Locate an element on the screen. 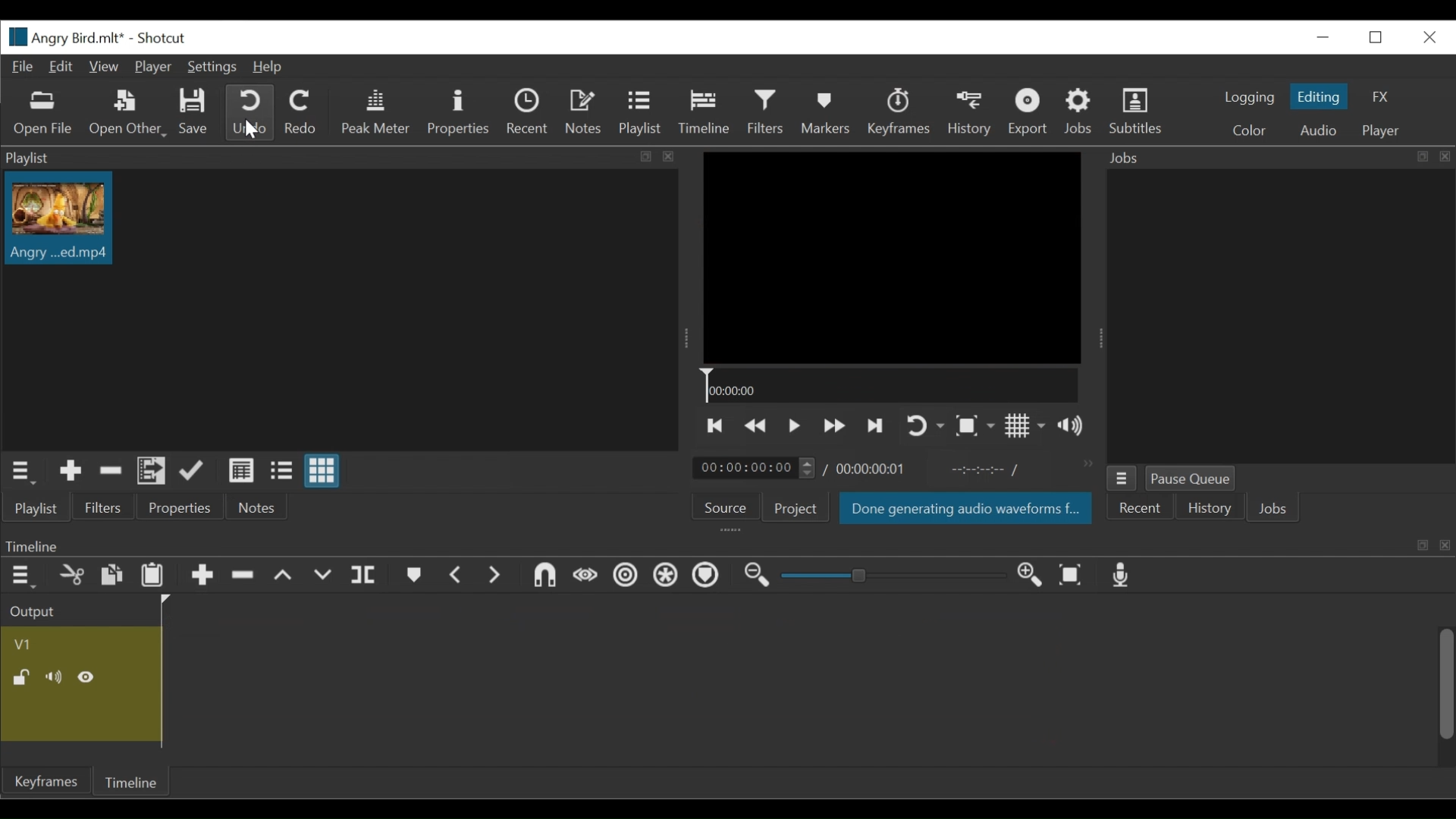 The image size is (1456, 819). Undo is located at coordinates (253, 112).